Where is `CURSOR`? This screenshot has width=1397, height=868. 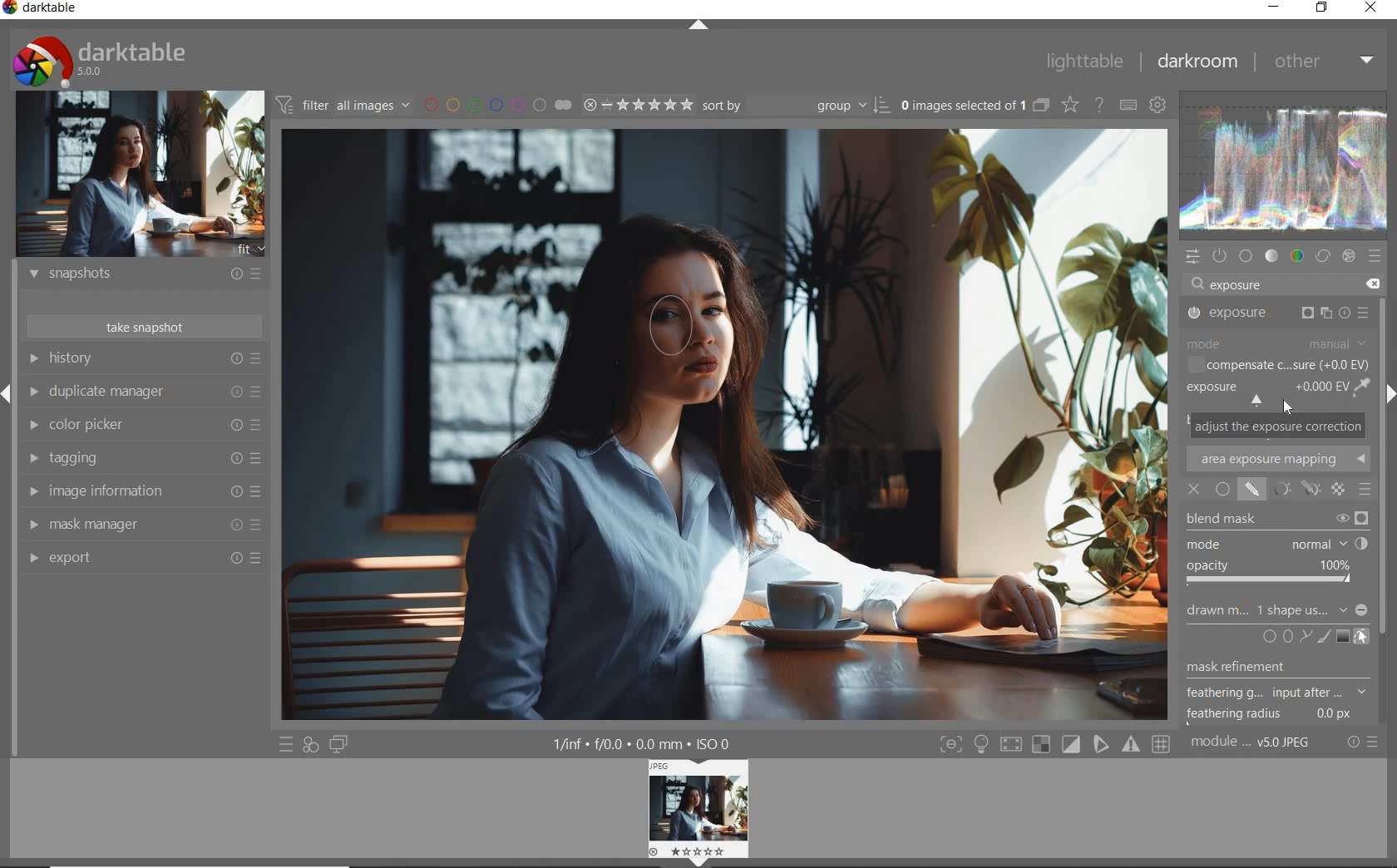
CURSOR is located at coordinates (1288, 407).